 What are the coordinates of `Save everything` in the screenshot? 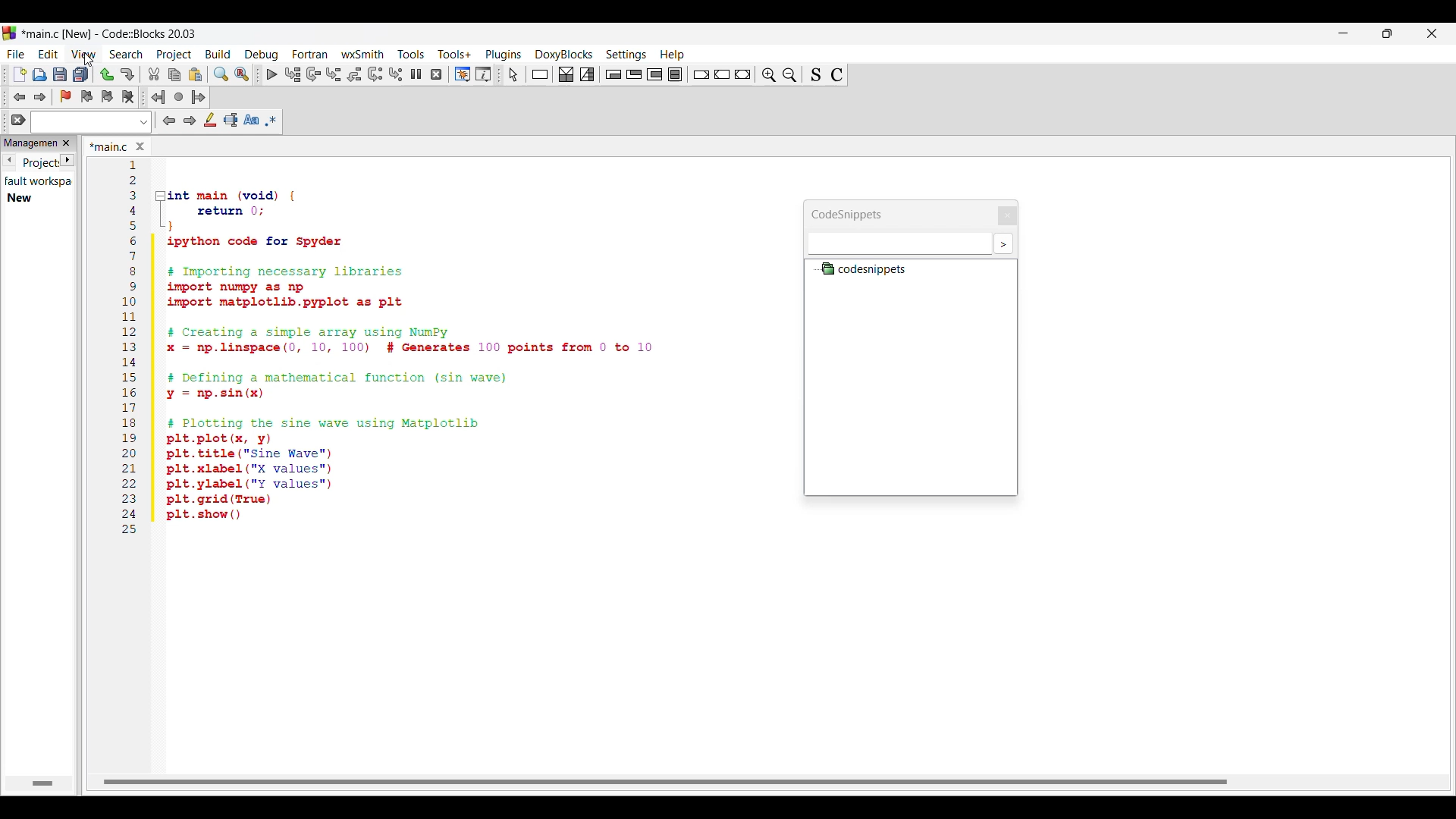 It's located at (81, 74).